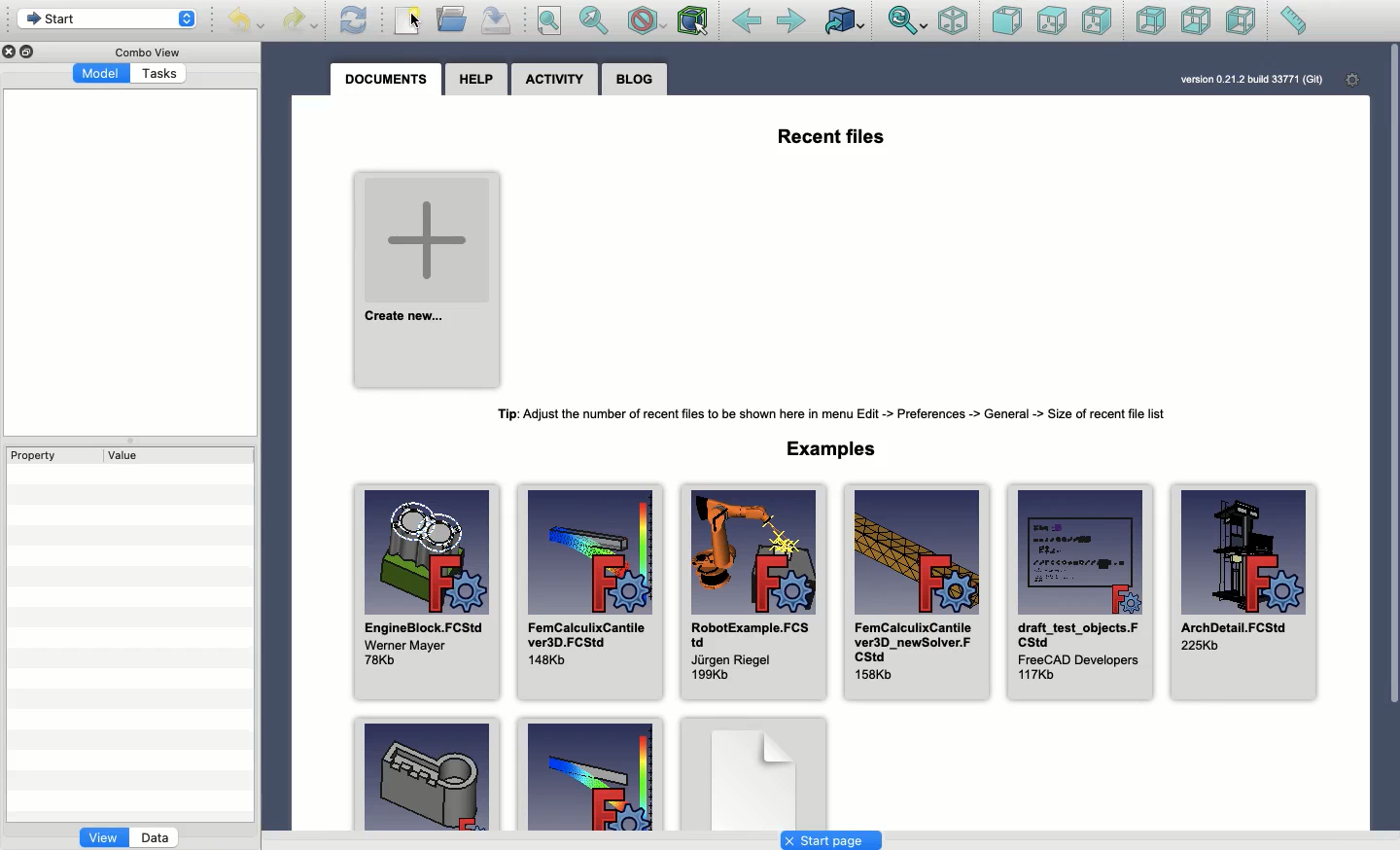 The height and width of the screenshot is (850, 1400). What do you see at coordinates (791, 22) in the screenshot?
I see `Forward` at bounding box center [791, 22].